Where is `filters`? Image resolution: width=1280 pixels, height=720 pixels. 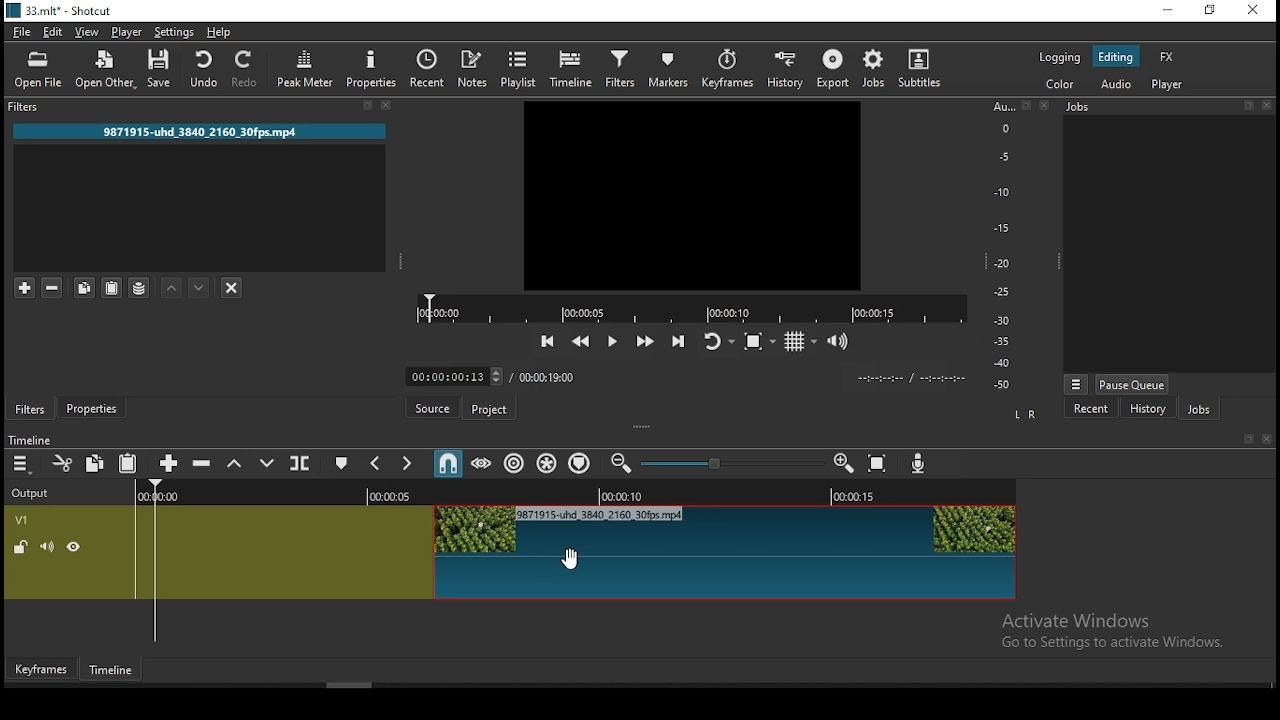
filters is located at coordinates (34, 106).